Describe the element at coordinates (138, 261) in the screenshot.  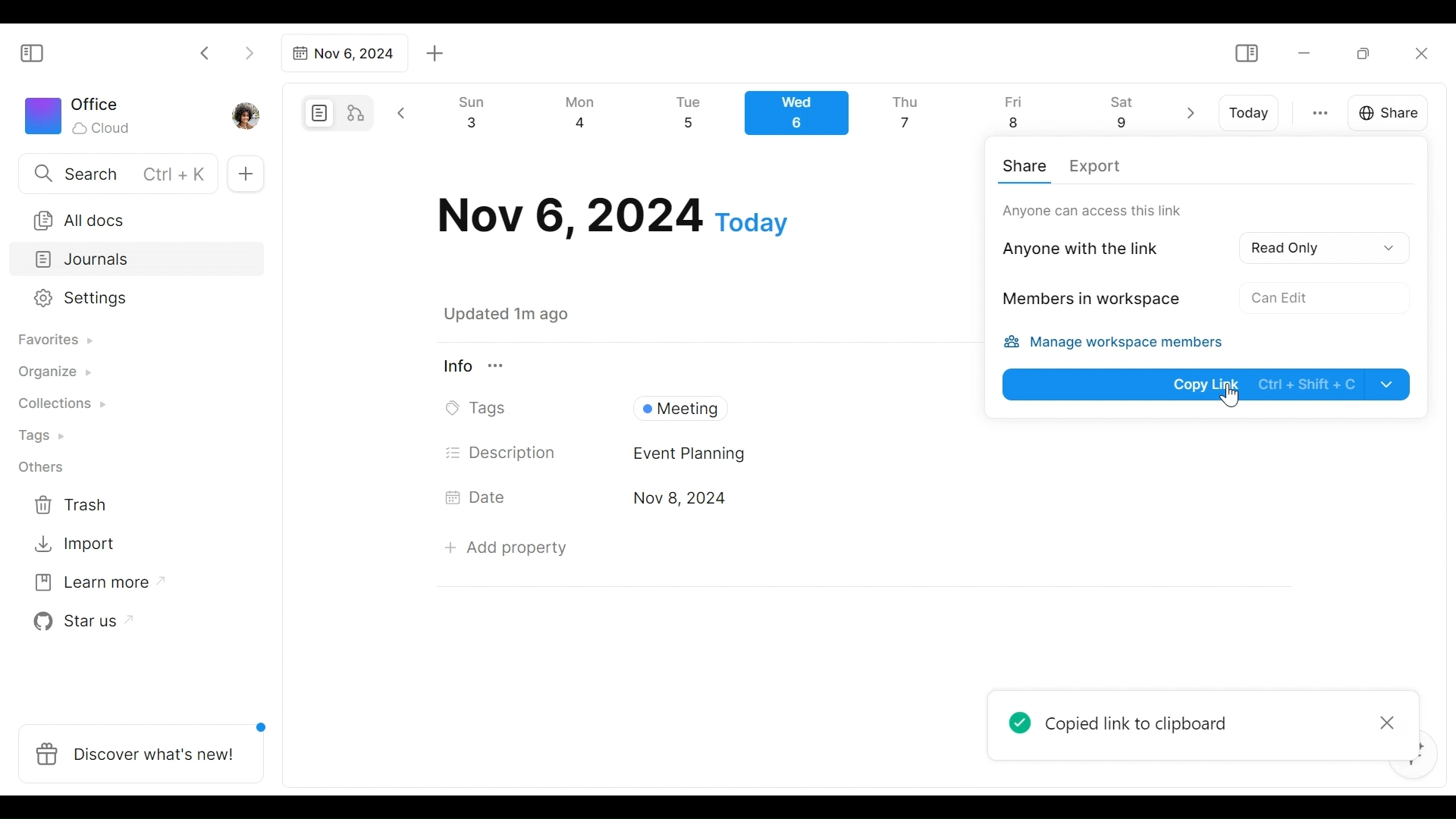
I see `Journals` at that location.